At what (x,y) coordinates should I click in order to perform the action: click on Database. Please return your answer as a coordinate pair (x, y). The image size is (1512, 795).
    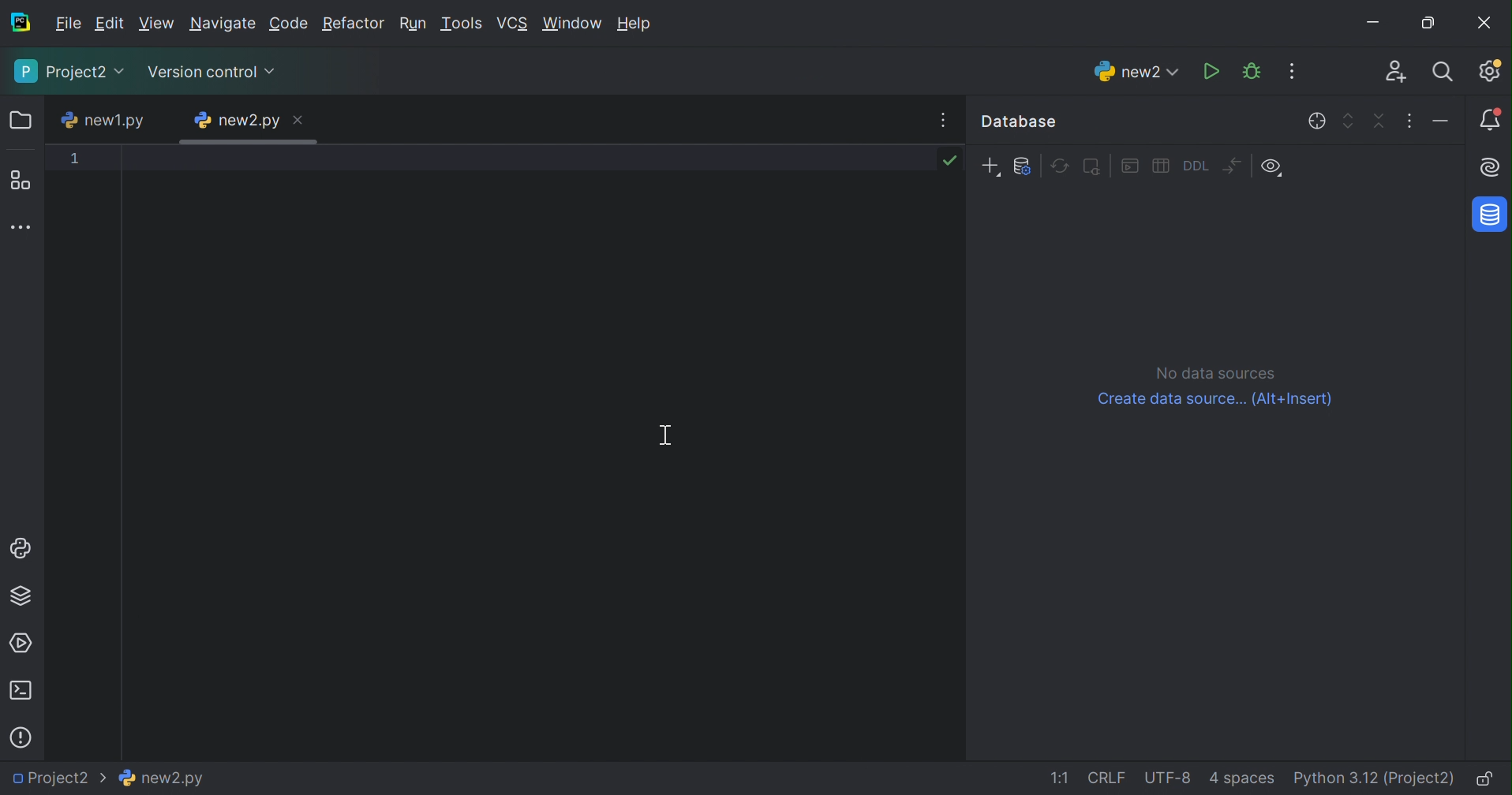
    Looking at the image, I should click on (1491, 214).